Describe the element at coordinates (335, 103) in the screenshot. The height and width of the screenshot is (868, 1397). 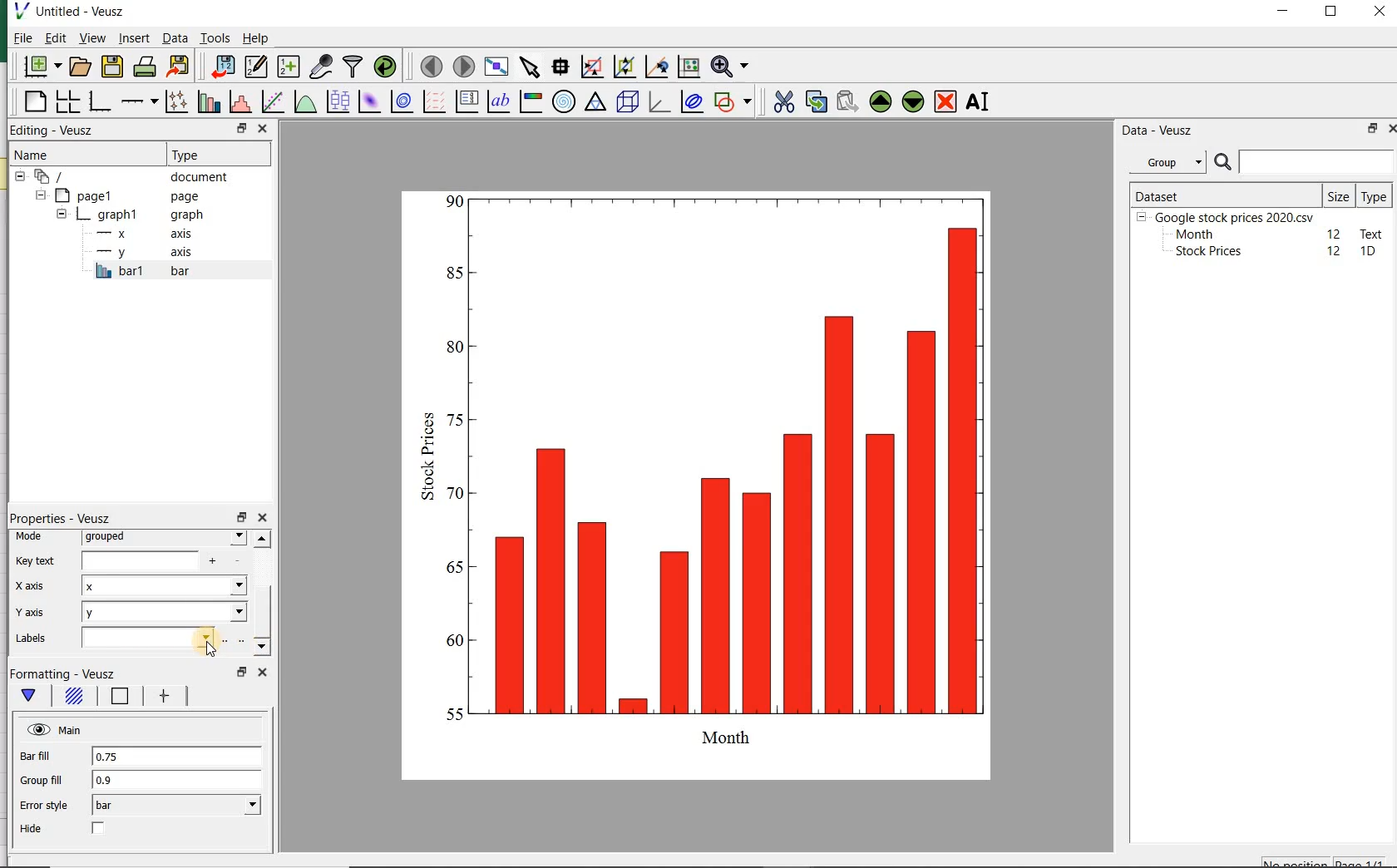
I see `plot box plots` at that location.